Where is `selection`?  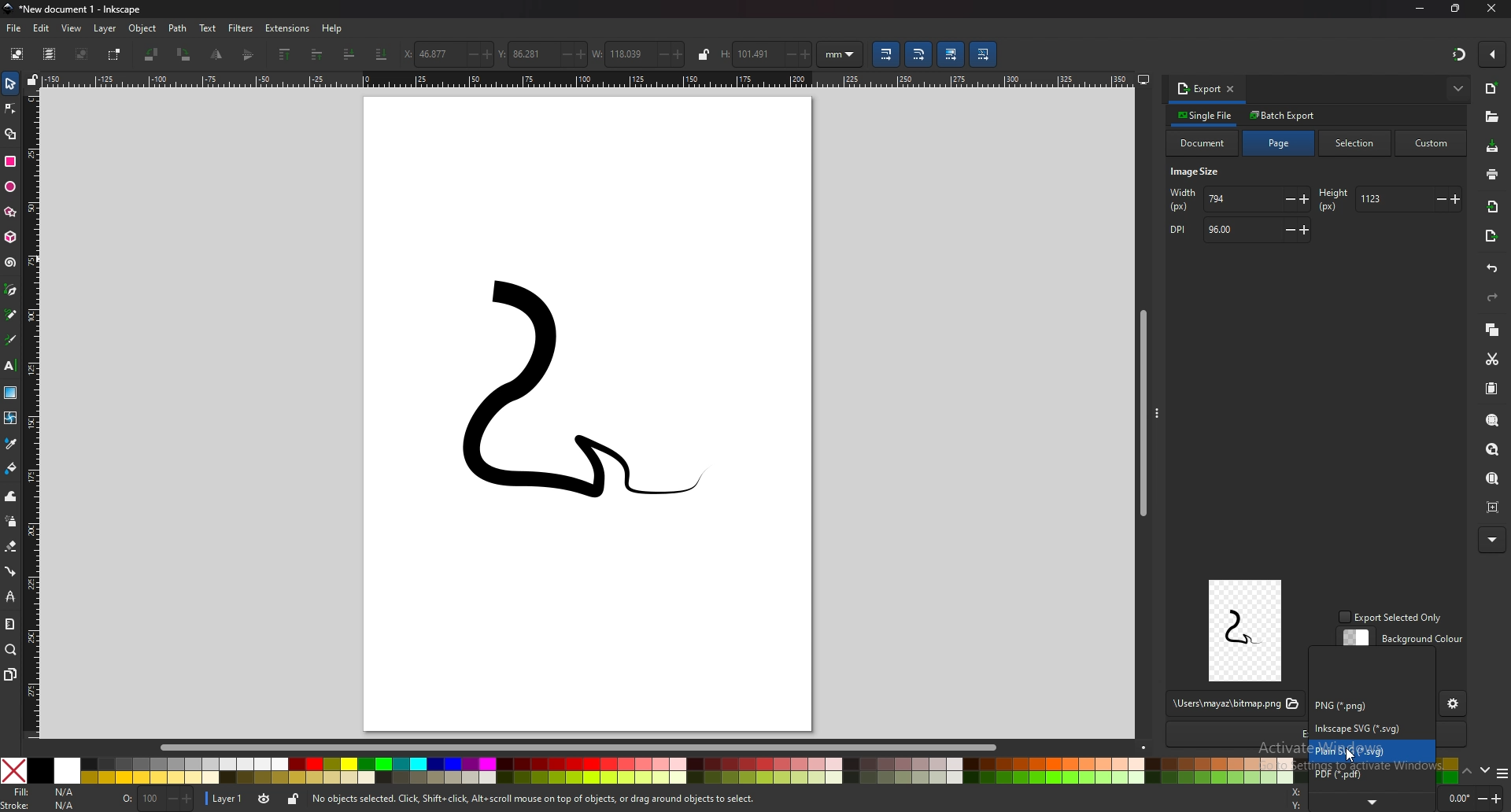 selection is located at coordinates (1358, 142).